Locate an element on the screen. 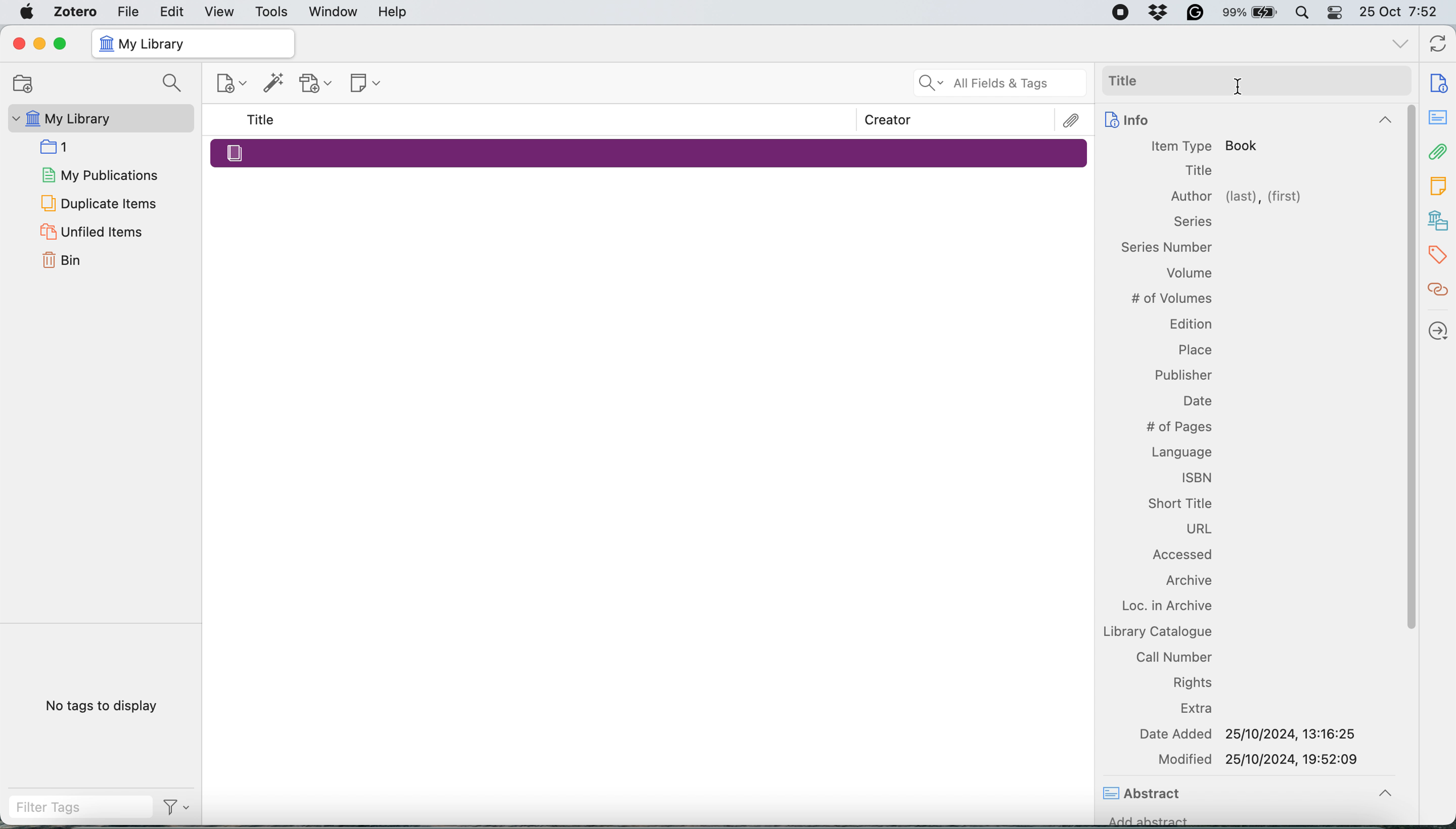  File is located at coordinates (128, 11).